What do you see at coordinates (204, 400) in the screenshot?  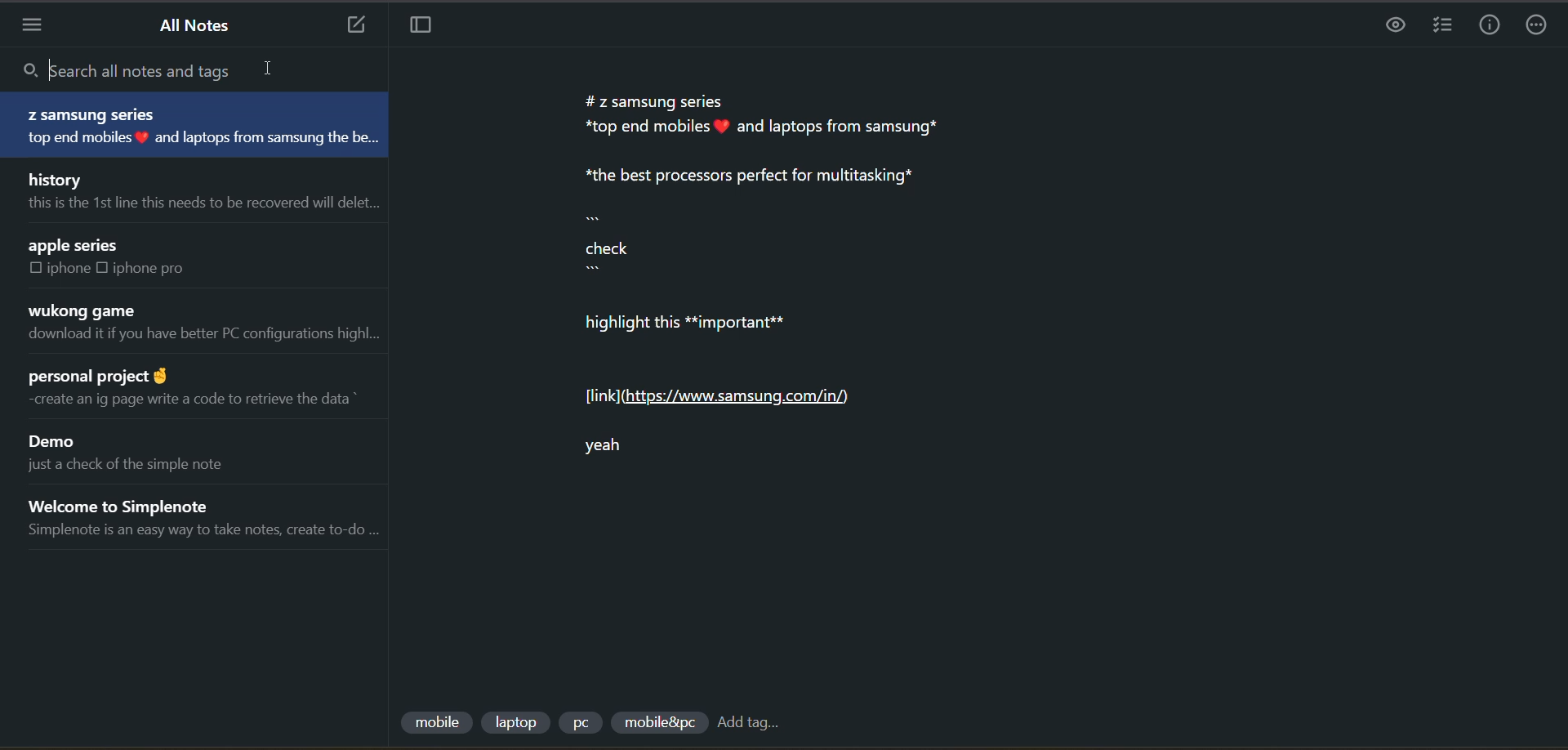 I see `-create an ig page write a code to retrieve the data *` at bounding box center [204, 400].